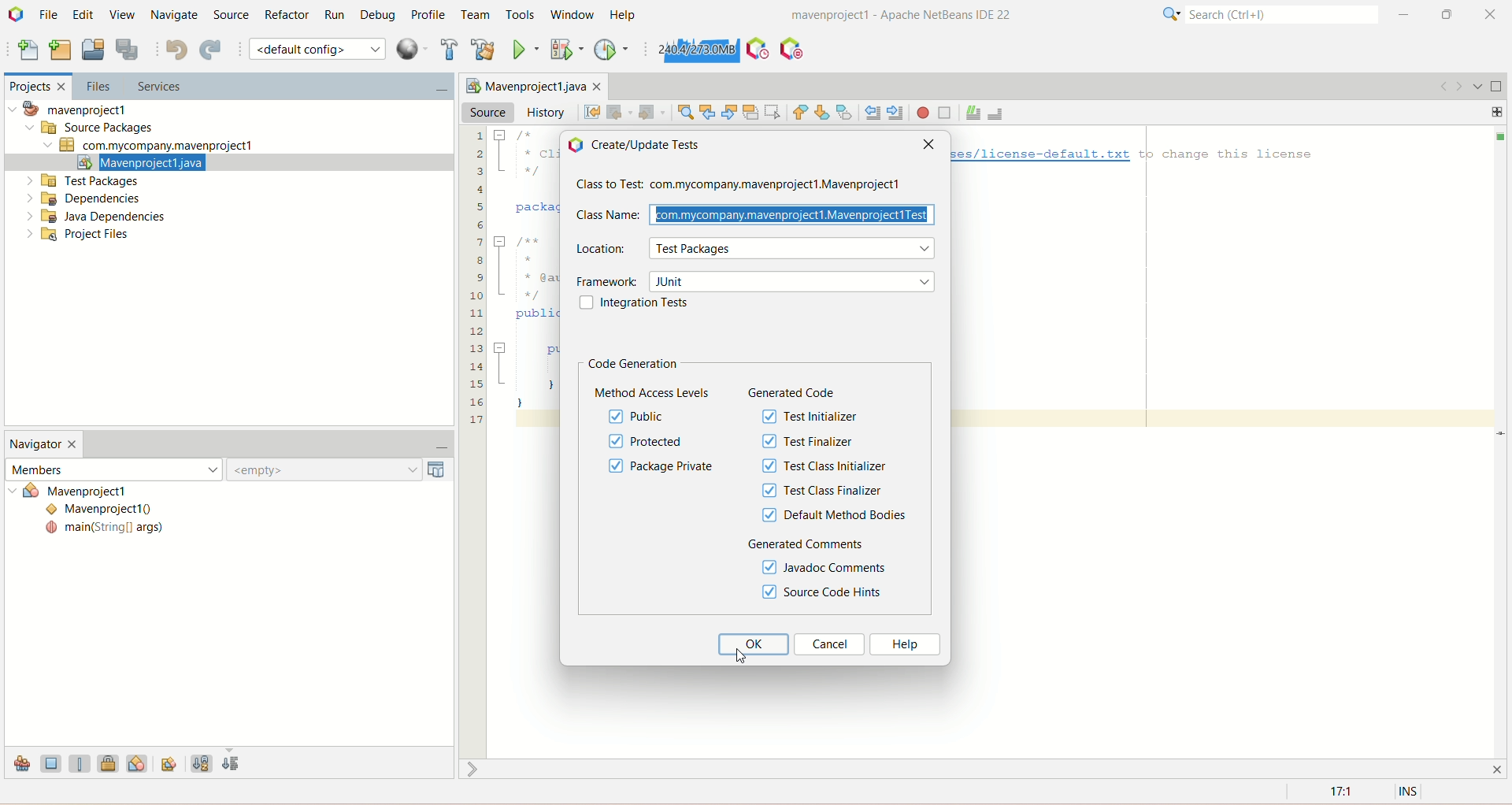  What do you see at coordinates (754, 215) in the screenshot?
I see `class name` at bounding box center [754, 215].